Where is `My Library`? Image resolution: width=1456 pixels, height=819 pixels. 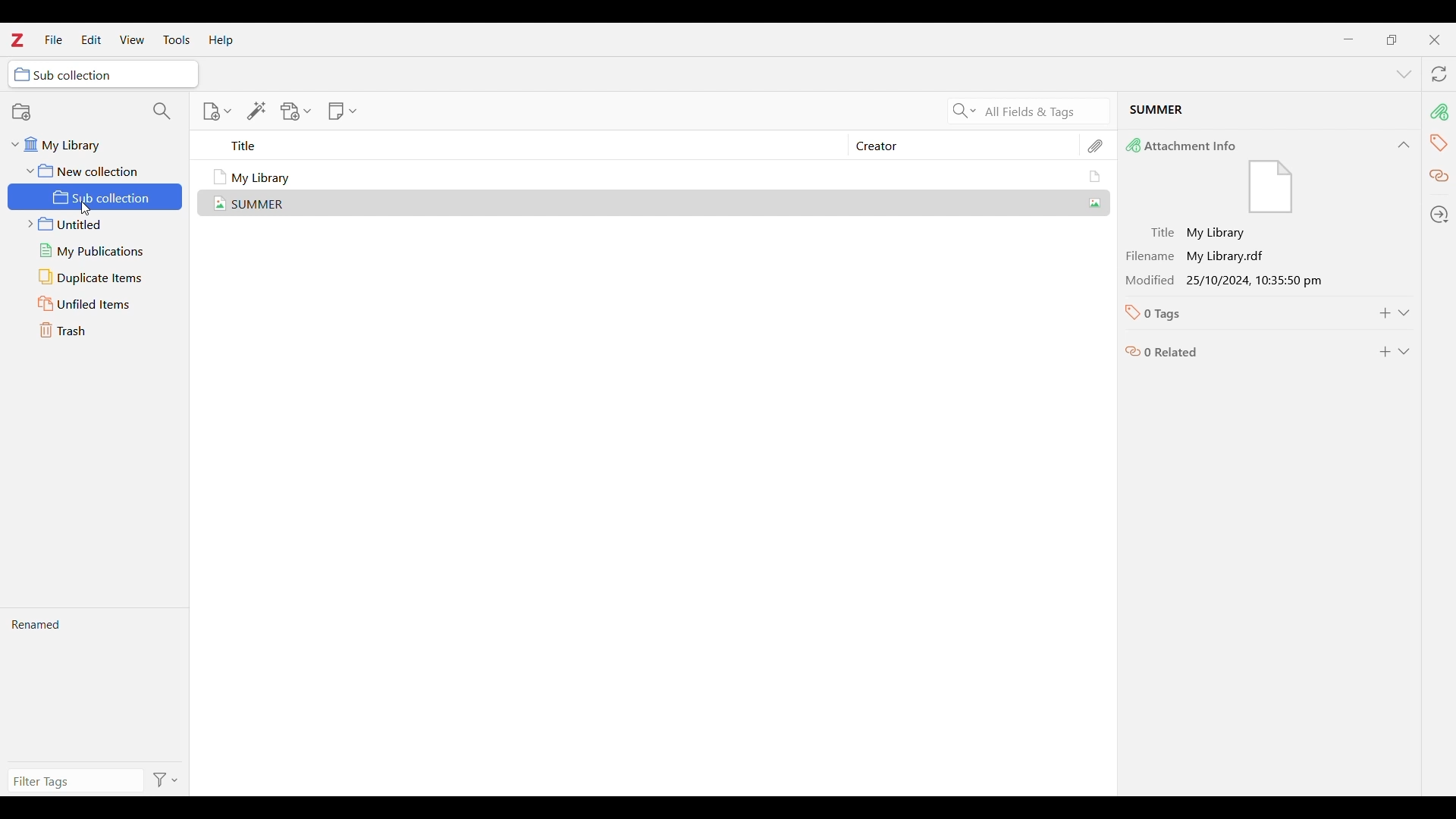 My Library is located at coordinates (659, 177).